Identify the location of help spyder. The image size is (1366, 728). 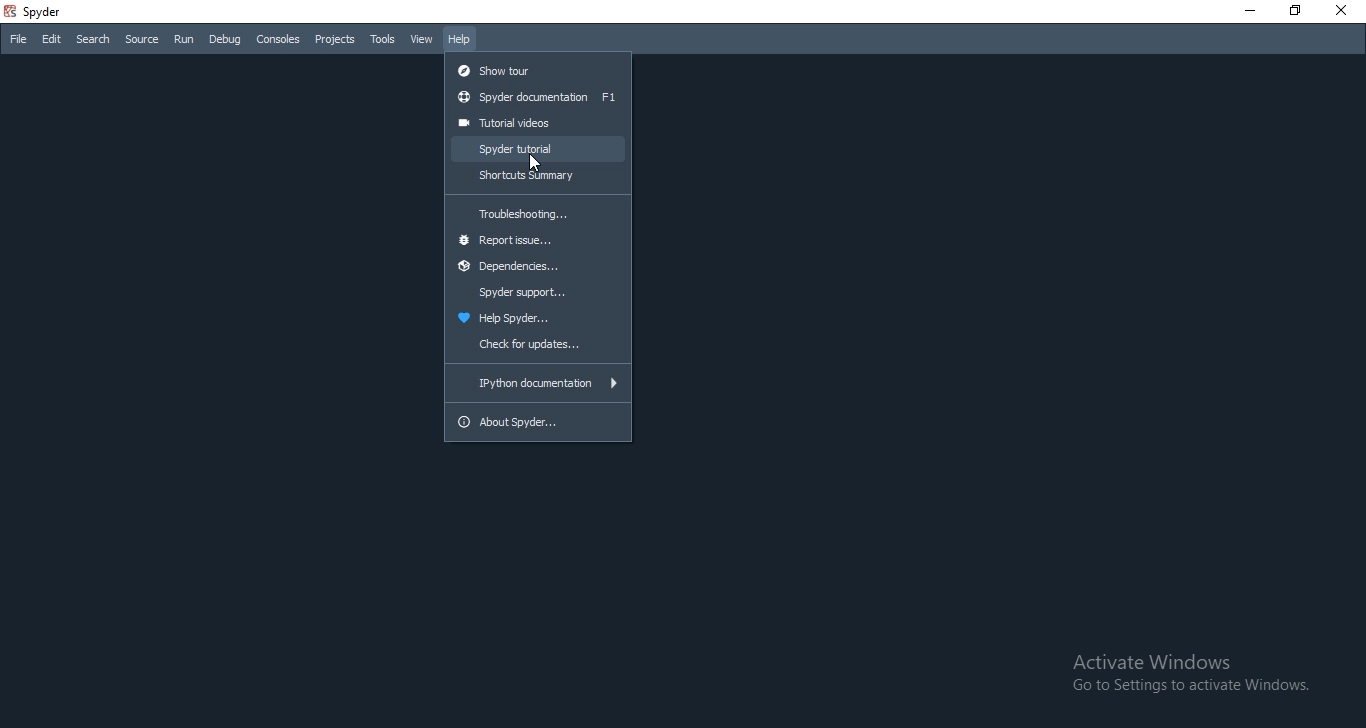
(536, 319).